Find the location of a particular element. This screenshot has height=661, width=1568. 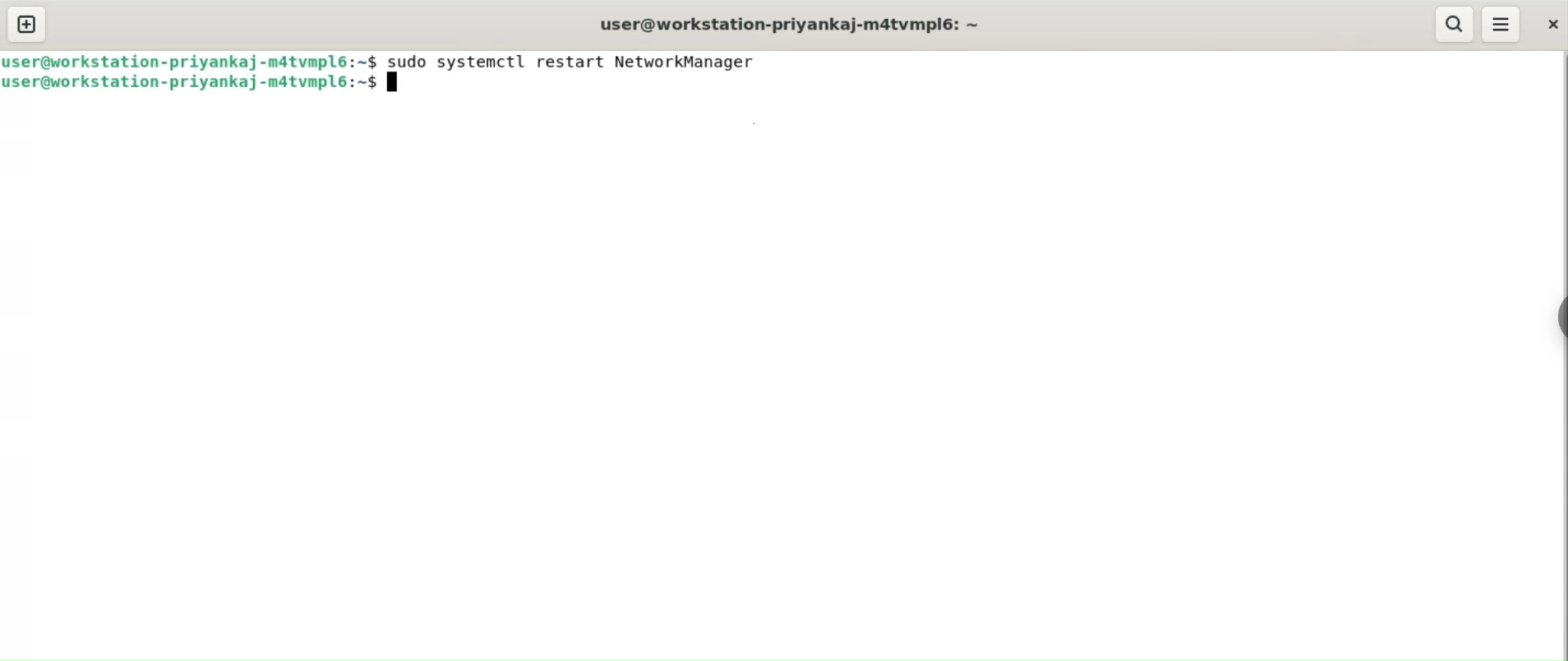

terminal cursor is located at coordinates (394, 83).